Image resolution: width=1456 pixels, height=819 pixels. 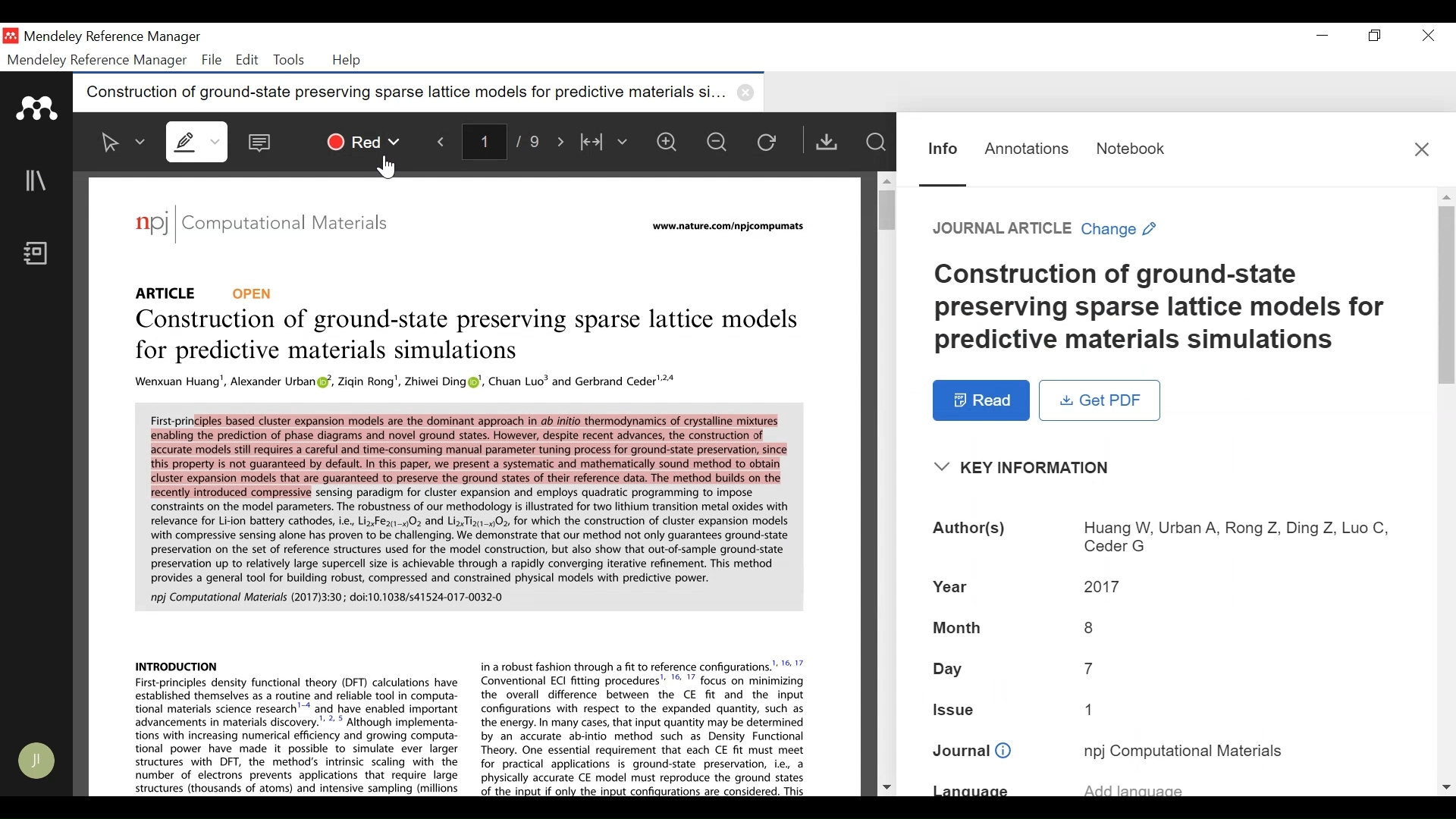 What do you see at coordinates (37, 108) in the screenshot?
I see `Mendeley Logo` at bounding box center [37, 108].